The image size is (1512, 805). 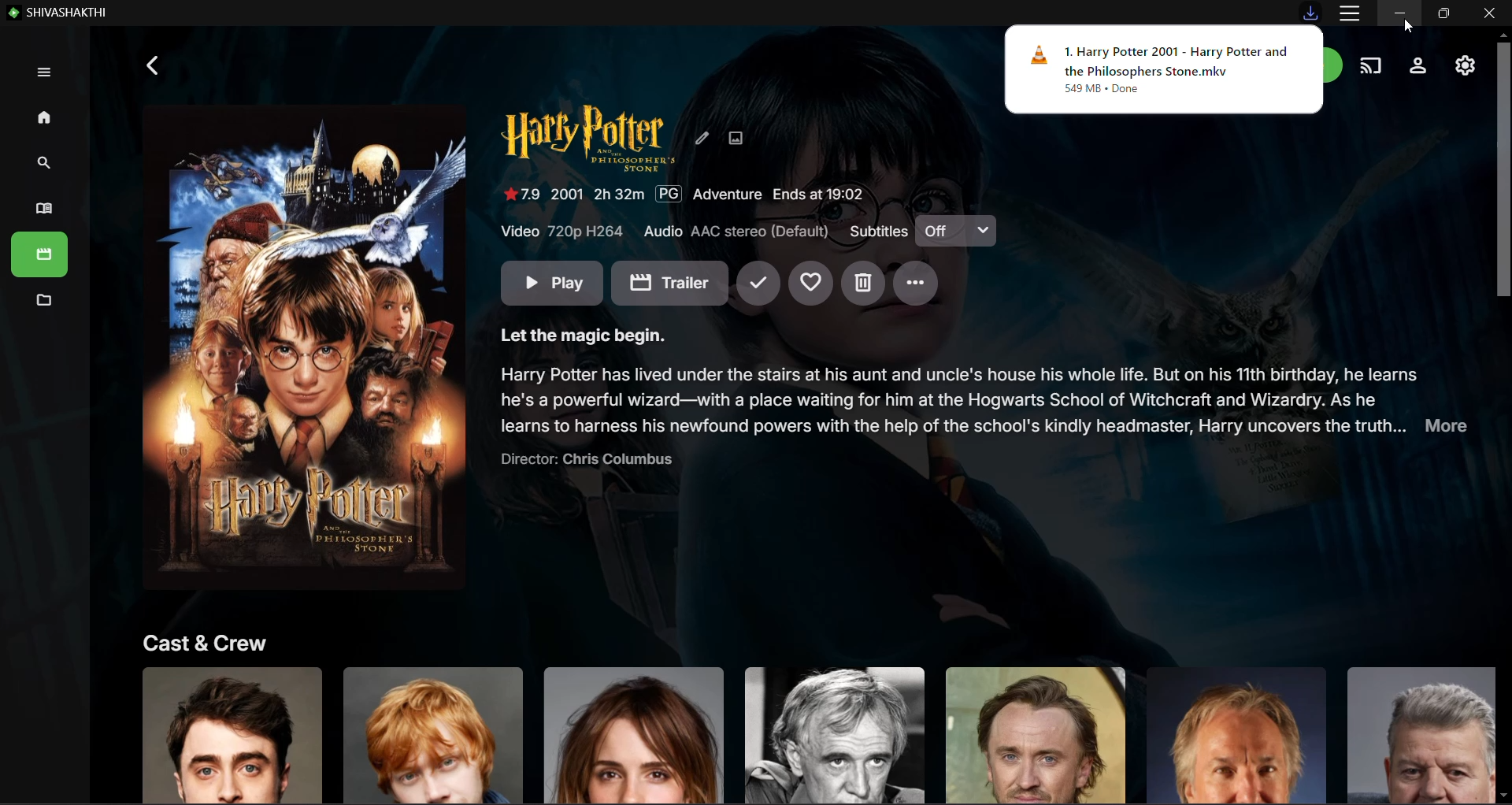 What do you see at coordinates (1400, 13) in the screenshot?
I see `Minimize` at bounding box center [1400, 13].